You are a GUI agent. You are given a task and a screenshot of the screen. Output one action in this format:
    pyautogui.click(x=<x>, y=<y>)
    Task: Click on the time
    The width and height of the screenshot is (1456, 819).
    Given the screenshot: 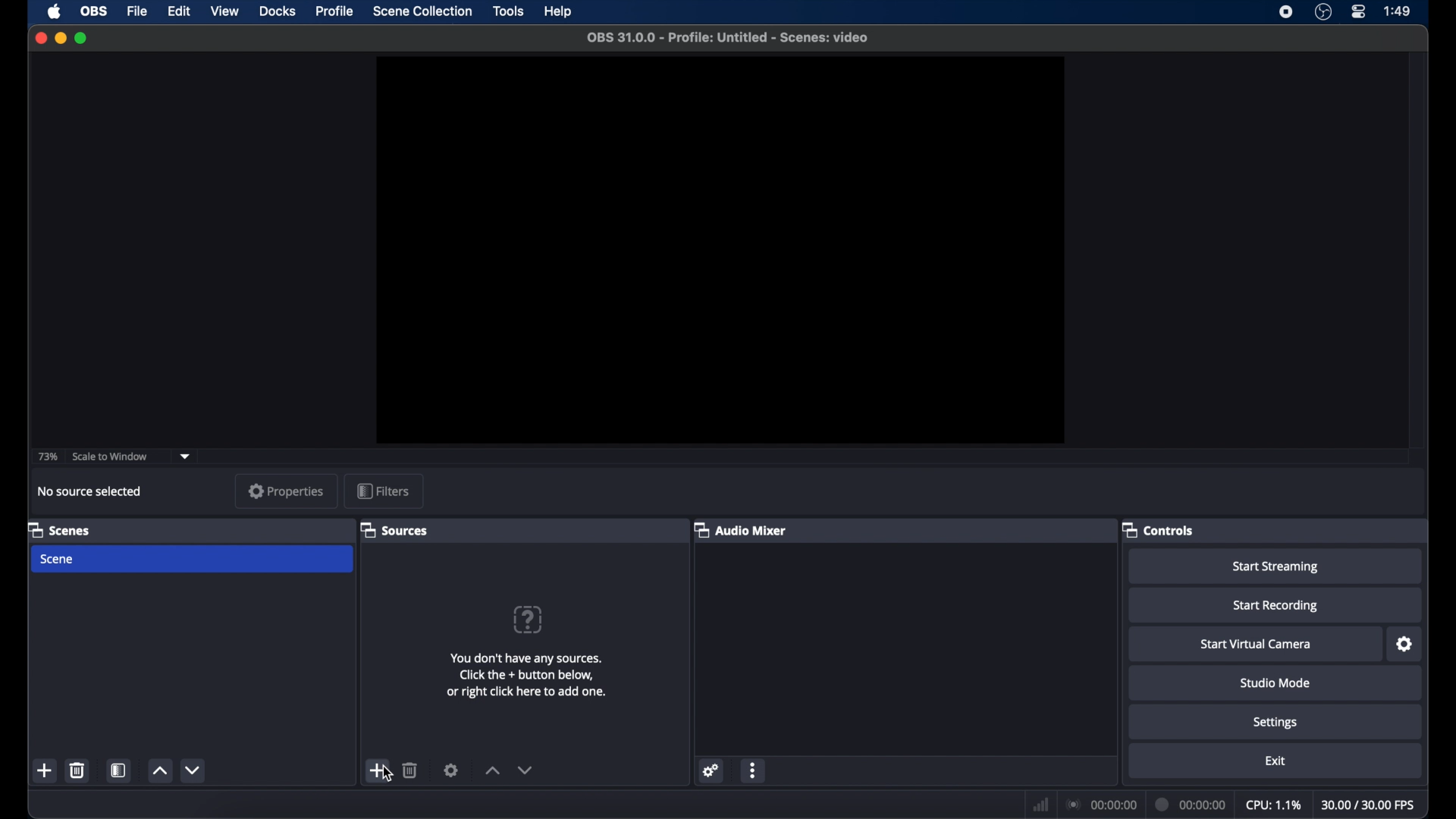 What is the action you would take?
    pyautogui.click(x=1398, y=11)
    